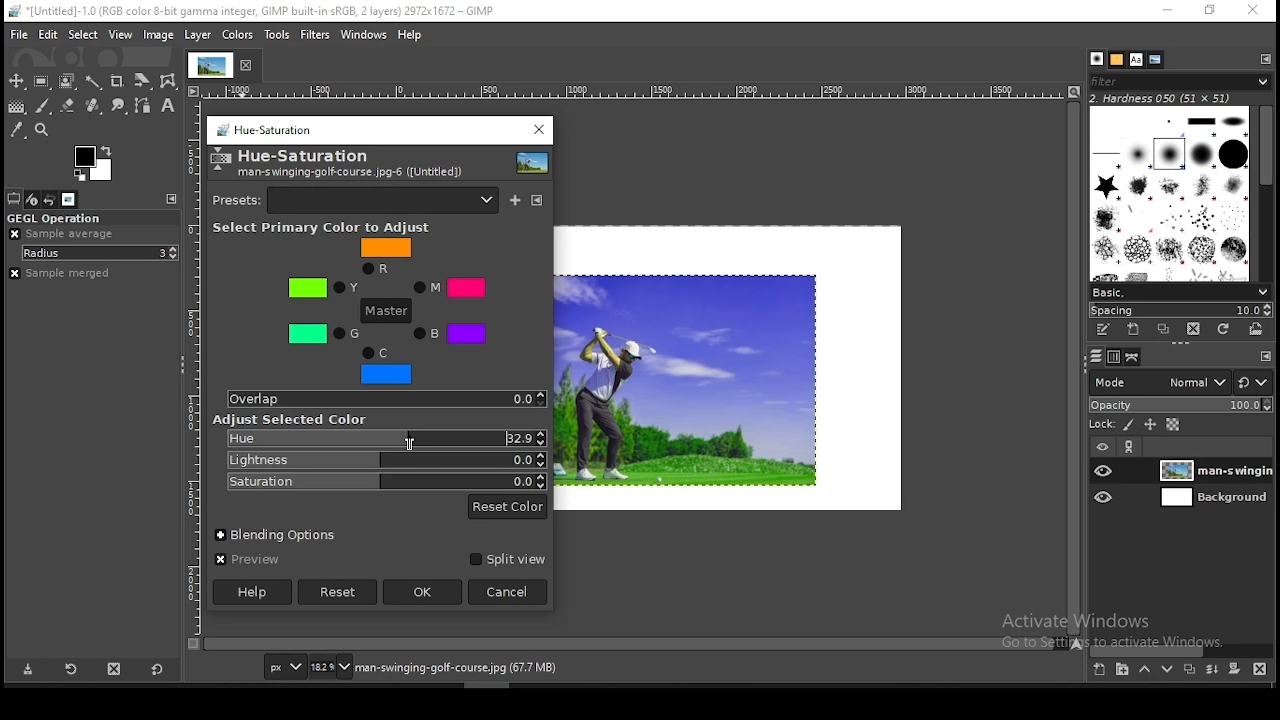 Image resolution: width=1280 pixels, height=720 pixels. What do you see at coordinates (1224, 329) in the screenshot?
I see `refresh brushes` at bounding box center [1224, 329].